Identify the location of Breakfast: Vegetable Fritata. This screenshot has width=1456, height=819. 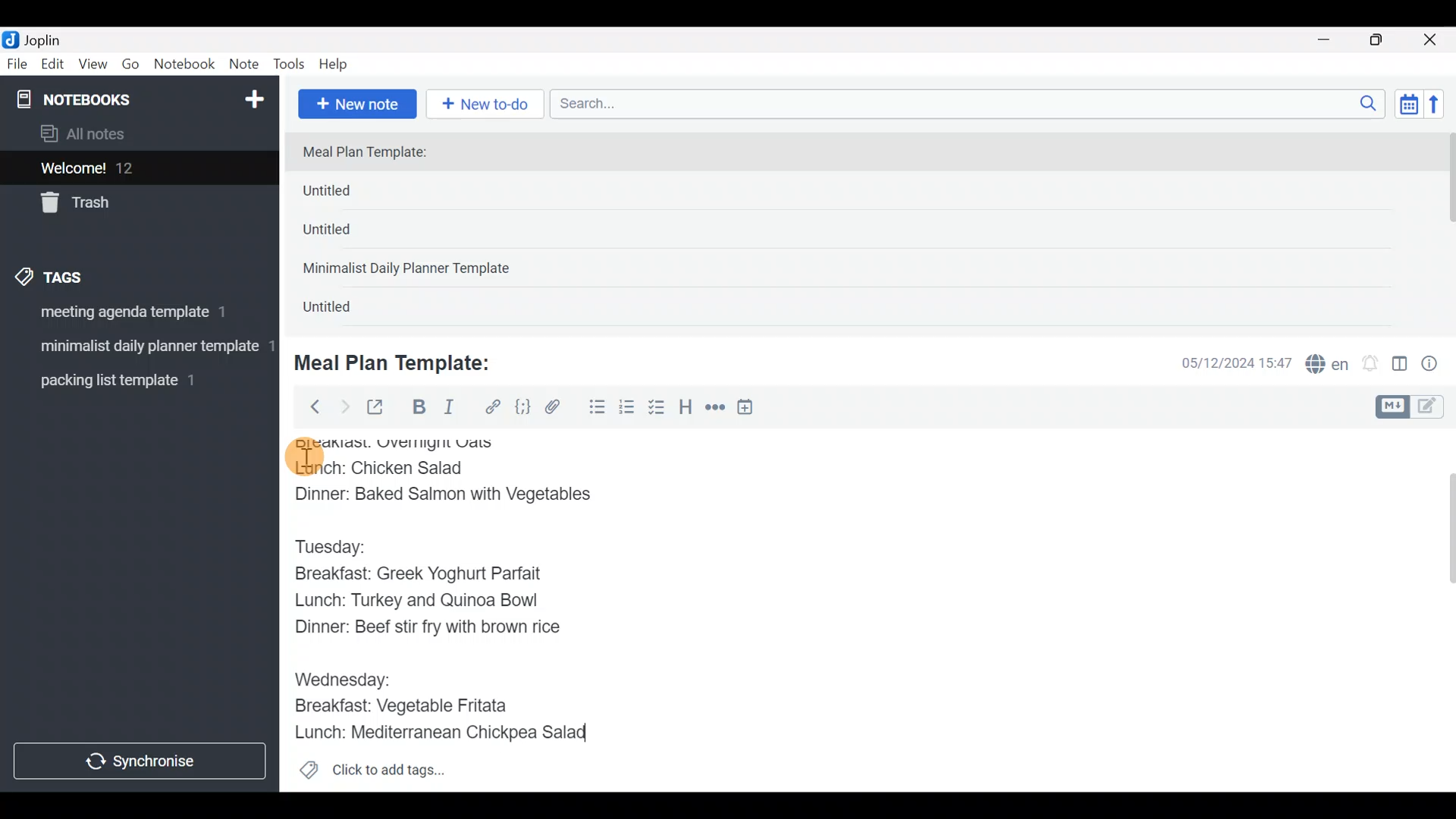
(414, 707).